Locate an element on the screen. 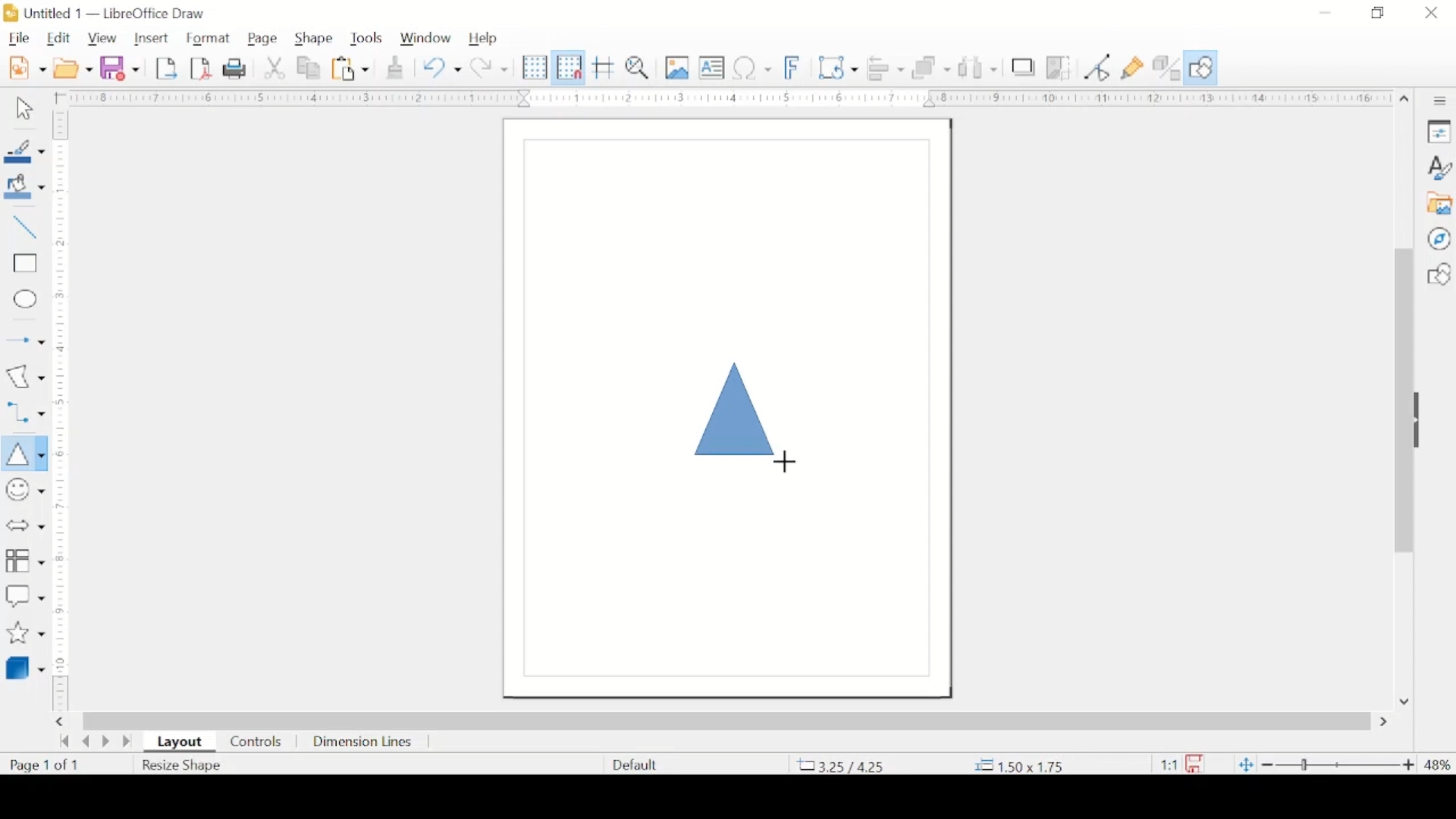 Image resolution: width=1456 pixels, height=819 pixels. navigator is located at coordinates (1439, 239).